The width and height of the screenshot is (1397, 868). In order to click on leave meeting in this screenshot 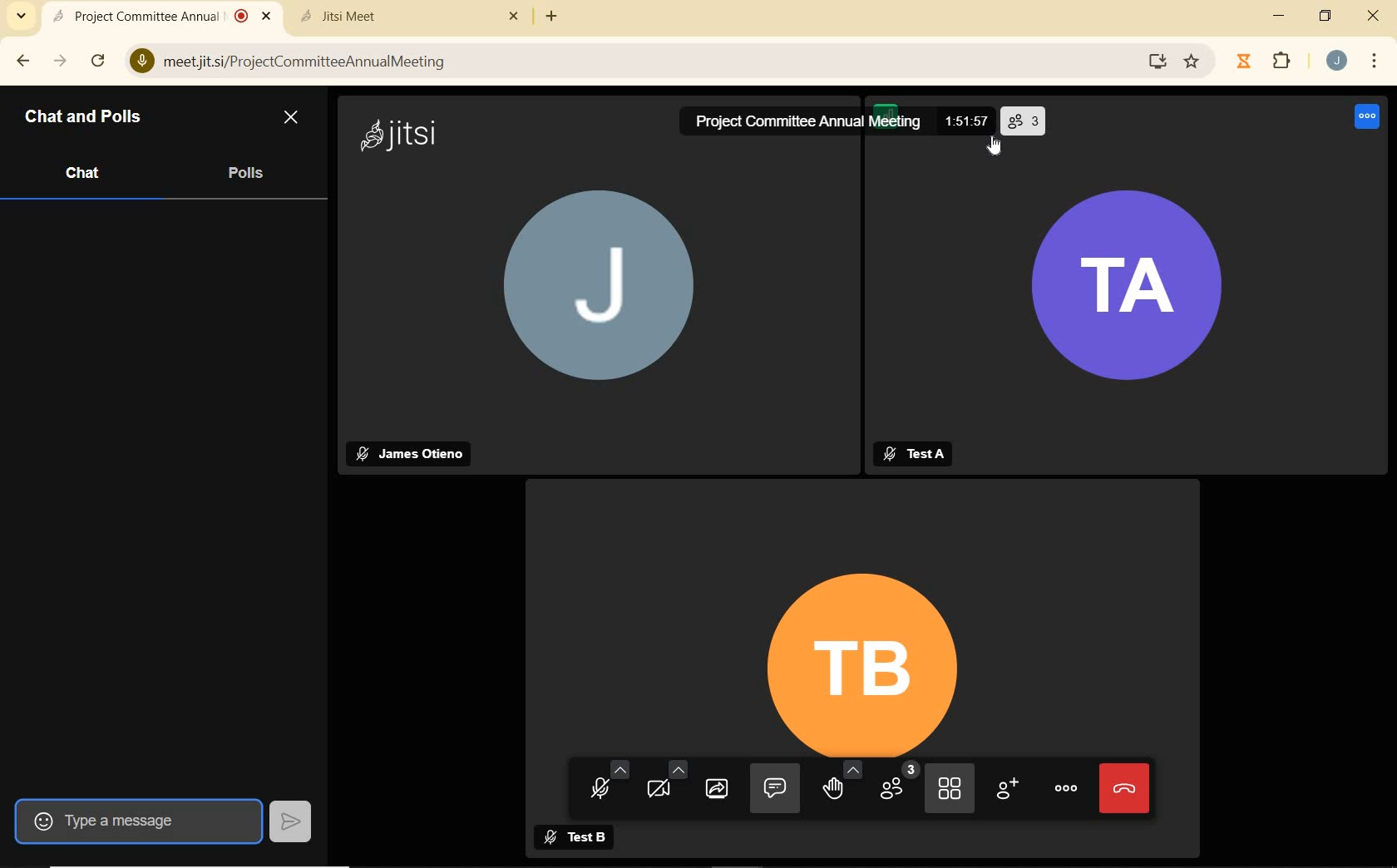, I will do `click(1127, 787)`.